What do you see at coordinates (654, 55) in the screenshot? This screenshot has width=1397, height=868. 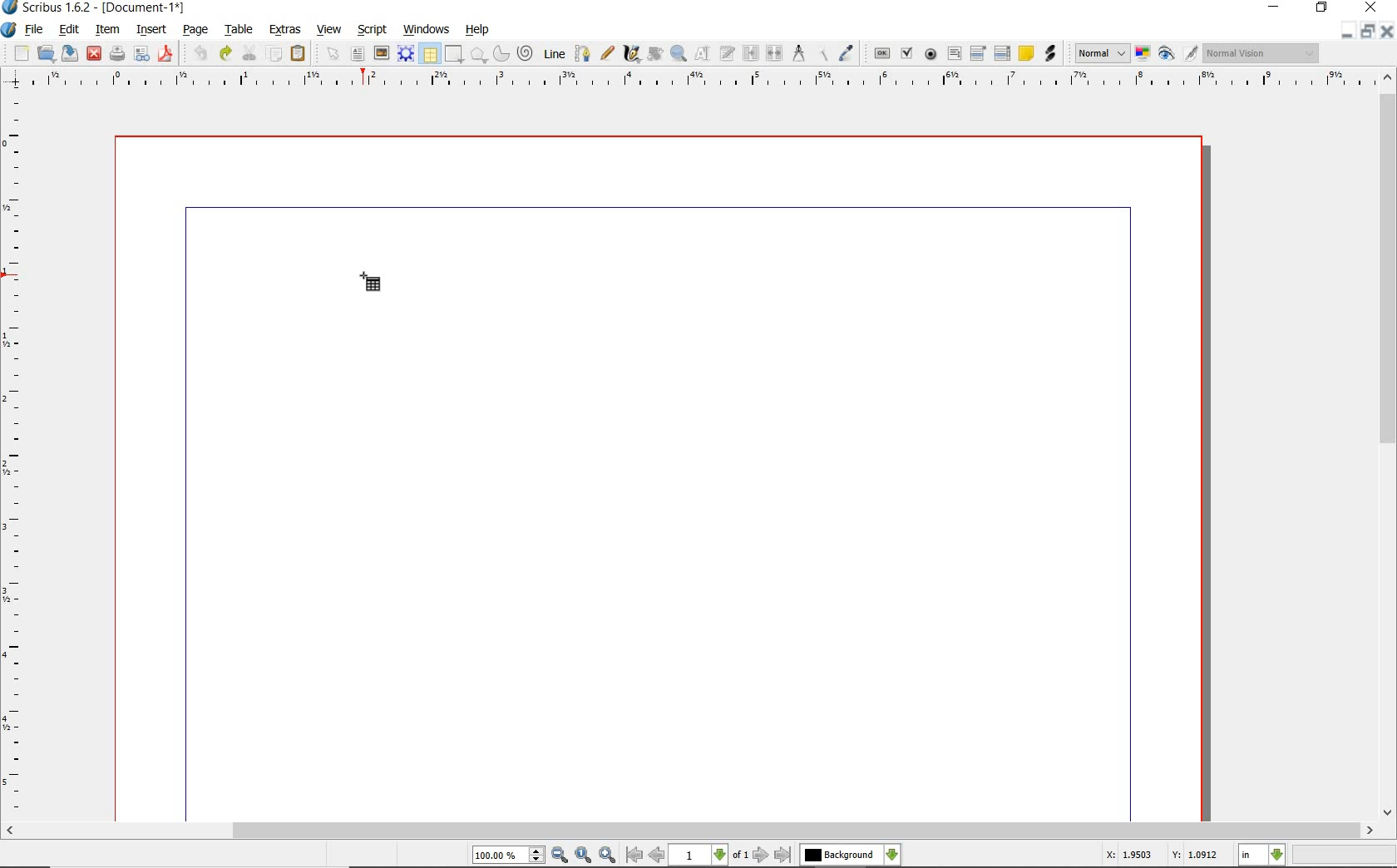 I see `rotate item` at bounding box center [654, 55].